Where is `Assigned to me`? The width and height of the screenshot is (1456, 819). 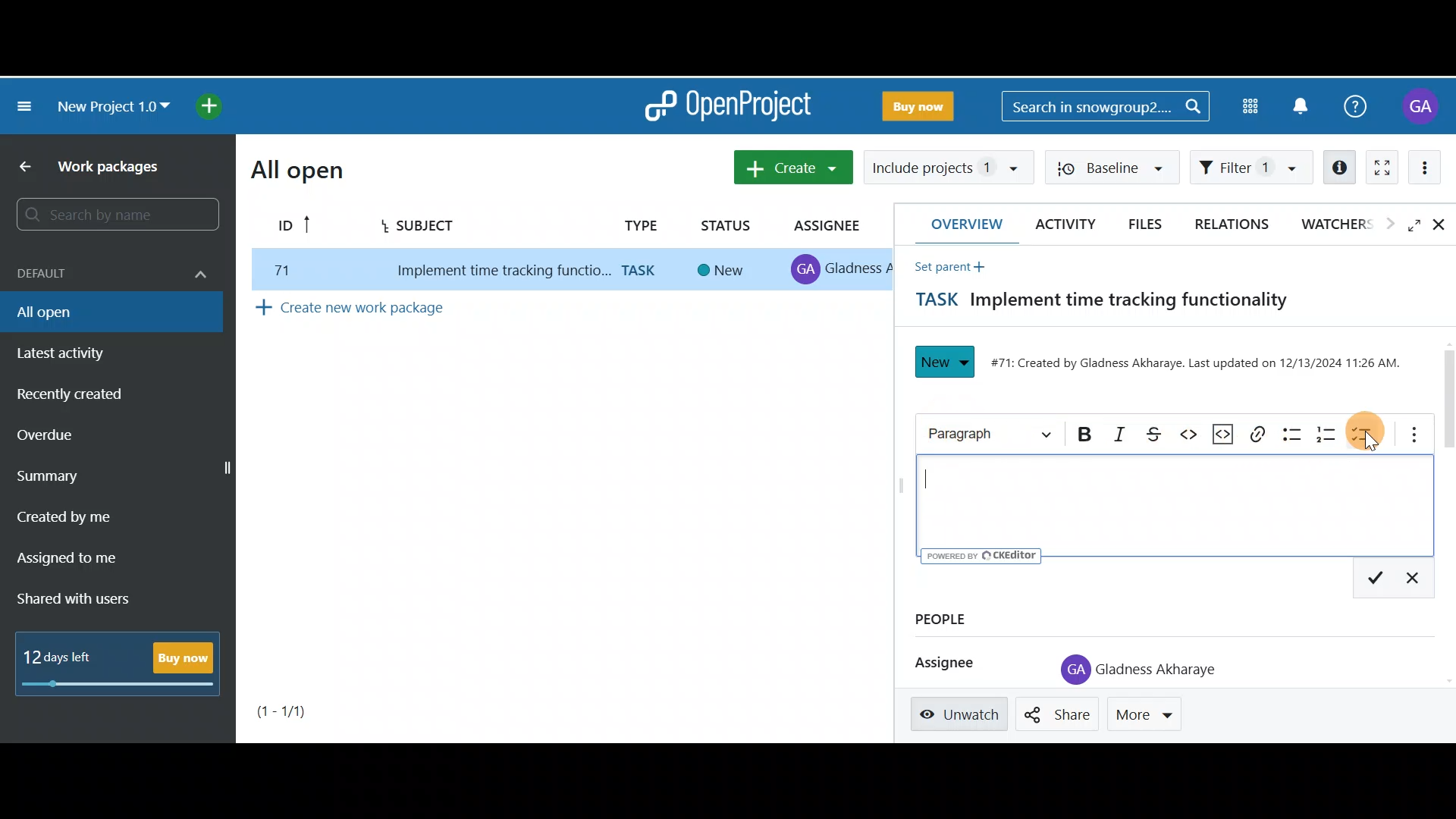
Assigned to me is located at coordinates (74, 557).